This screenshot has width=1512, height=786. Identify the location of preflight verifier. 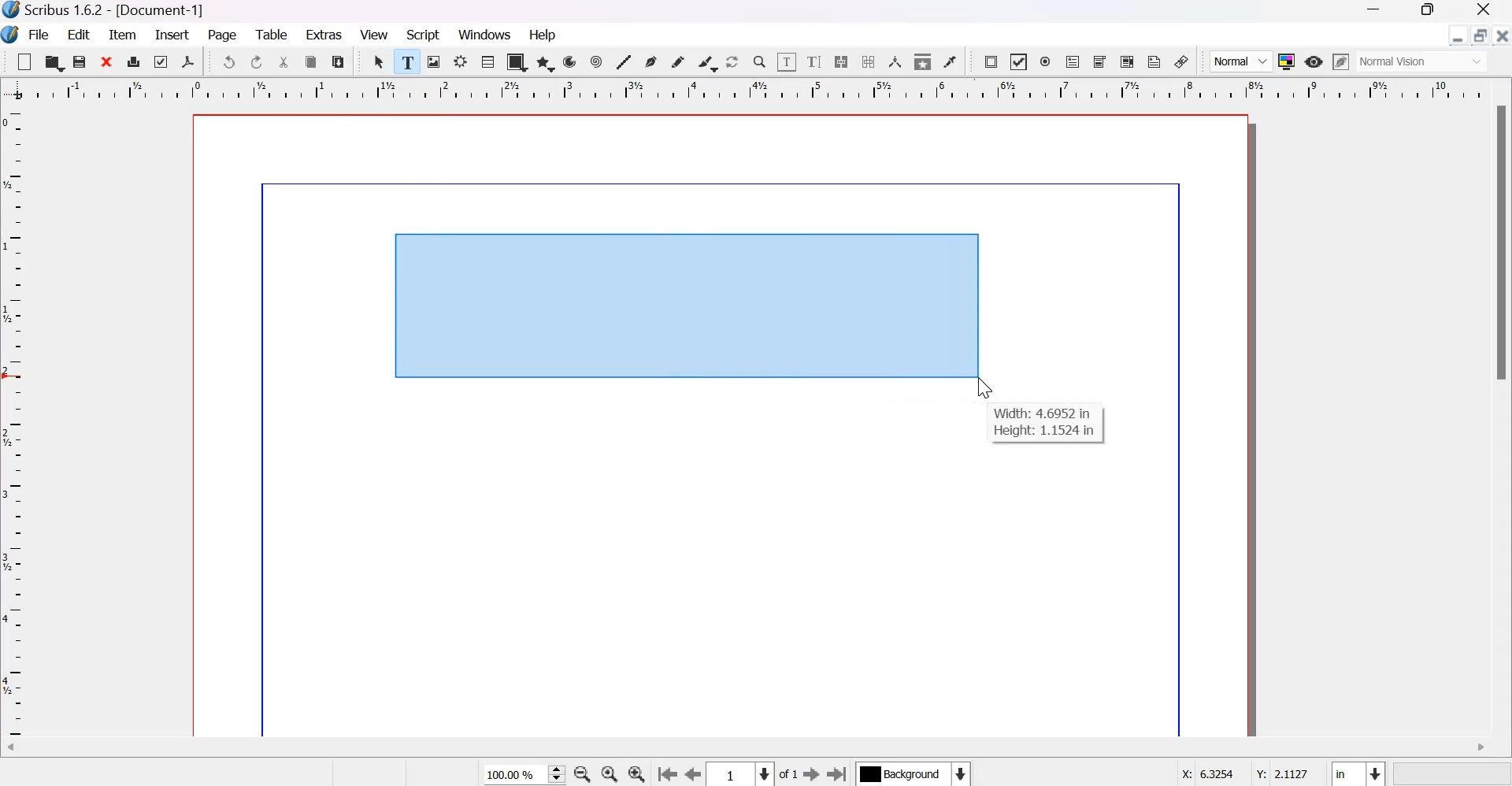
(158, 61).